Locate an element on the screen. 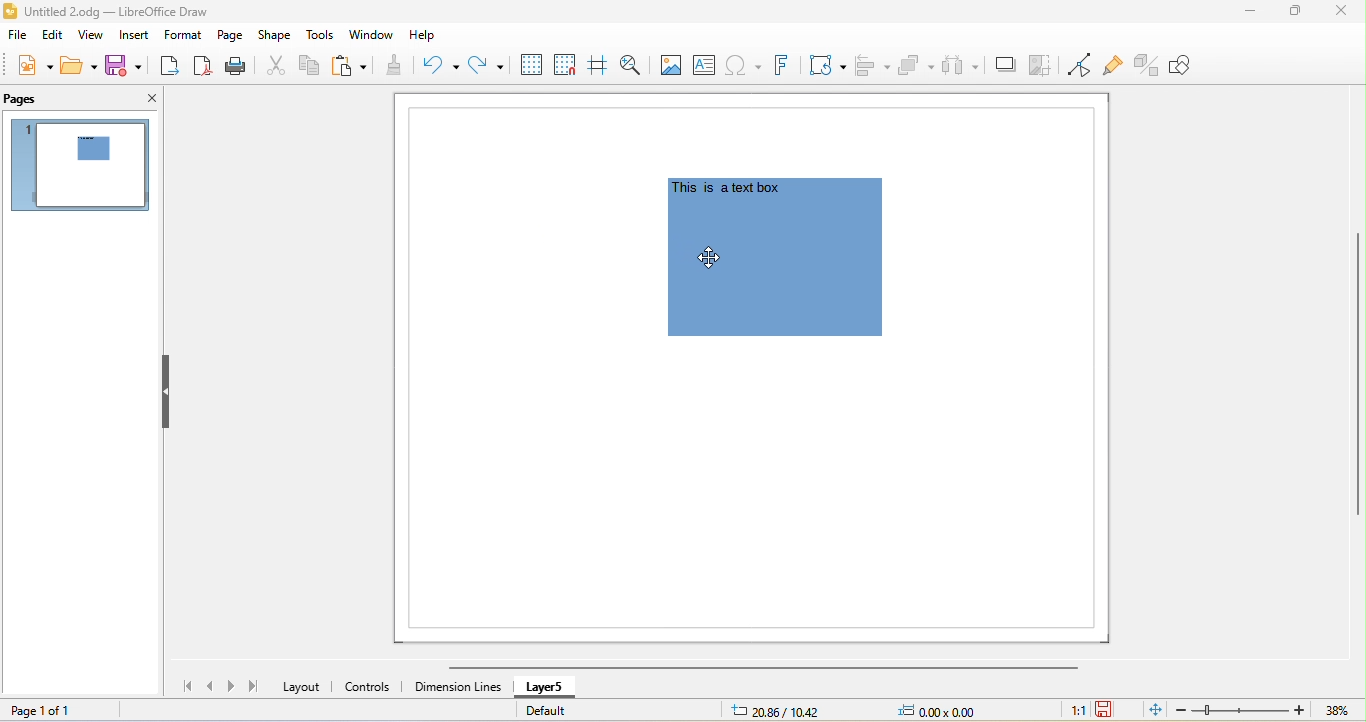  page is located at coordinates (230, 35).